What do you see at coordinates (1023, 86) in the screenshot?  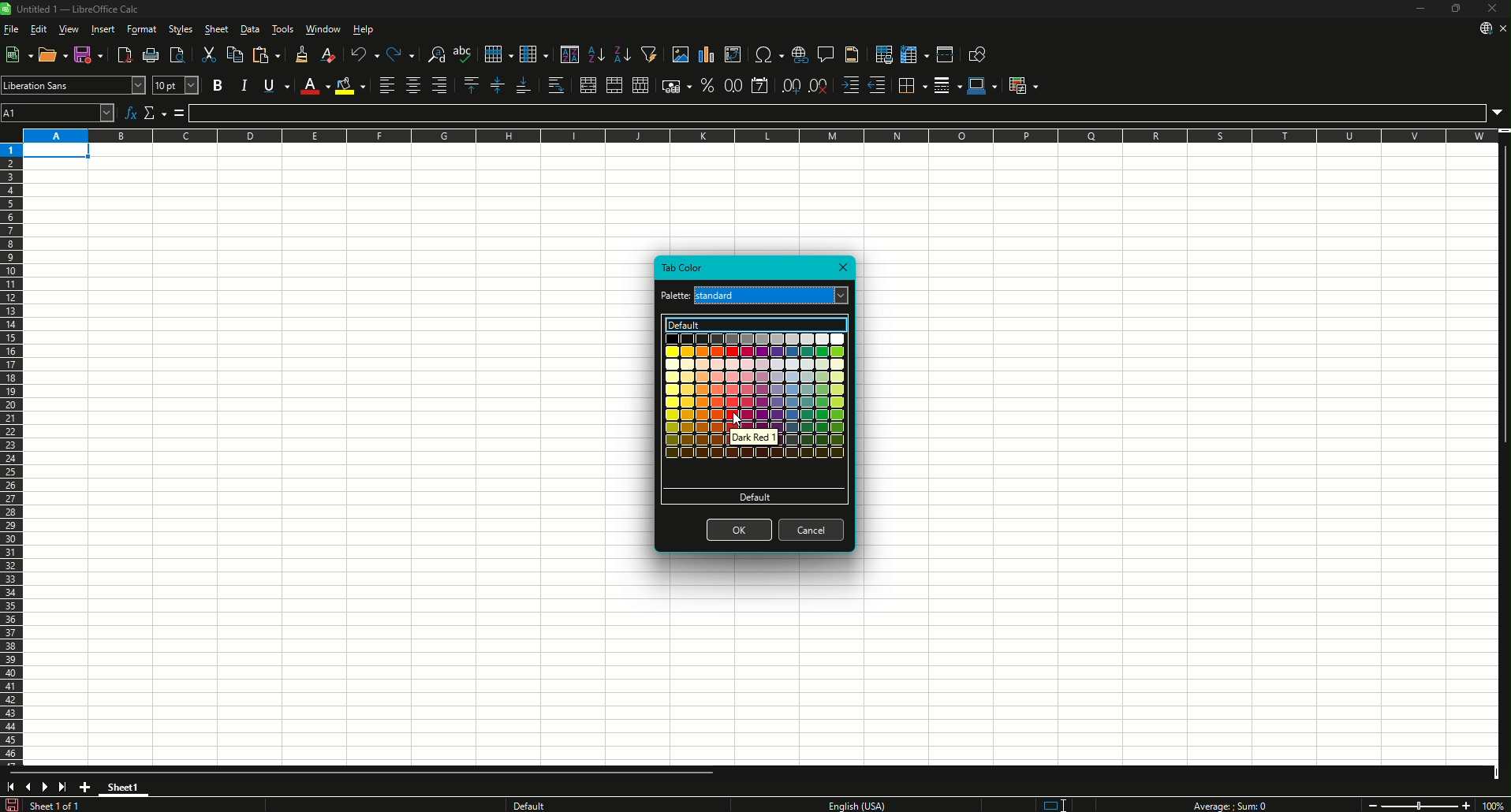 I see `Conditional` at bounding box center [1023, 86].